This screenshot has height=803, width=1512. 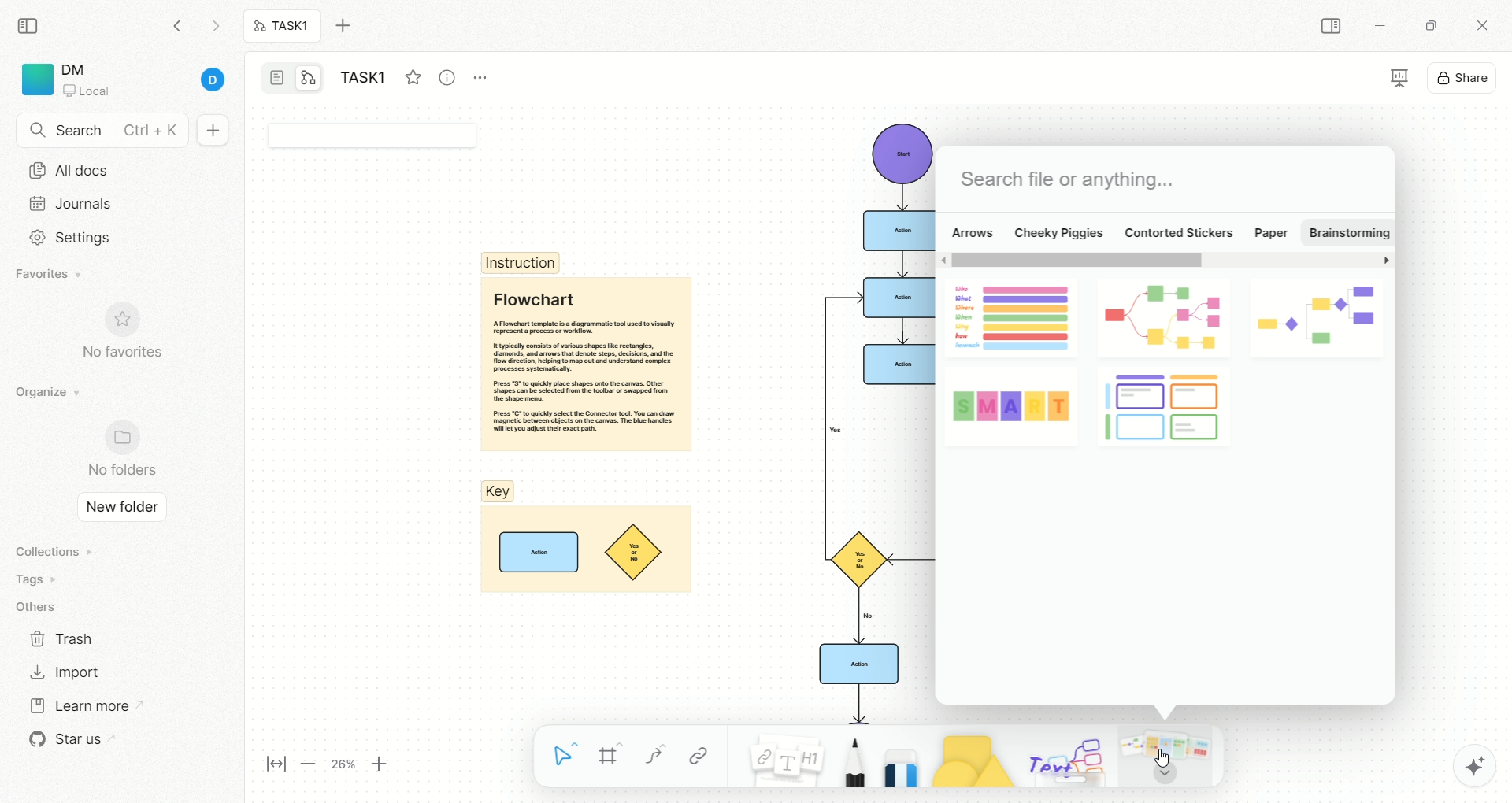 What do you see at coordinates (69, 170) in the screenshot?
I see `all docs` at bounding box center [69, 170].